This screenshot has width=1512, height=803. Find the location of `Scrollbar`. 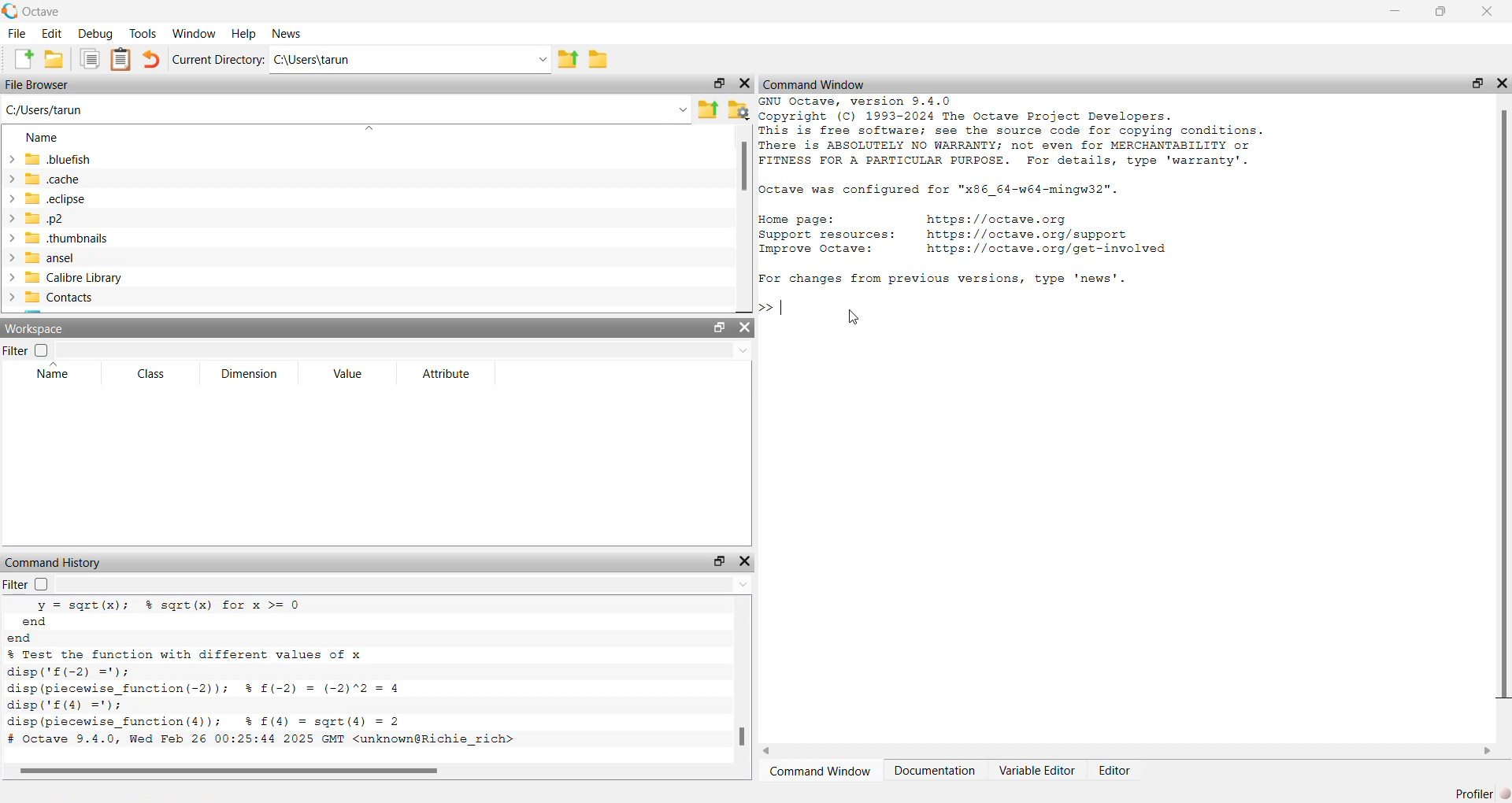

Scrollbar is located at coordinates (242, 771).